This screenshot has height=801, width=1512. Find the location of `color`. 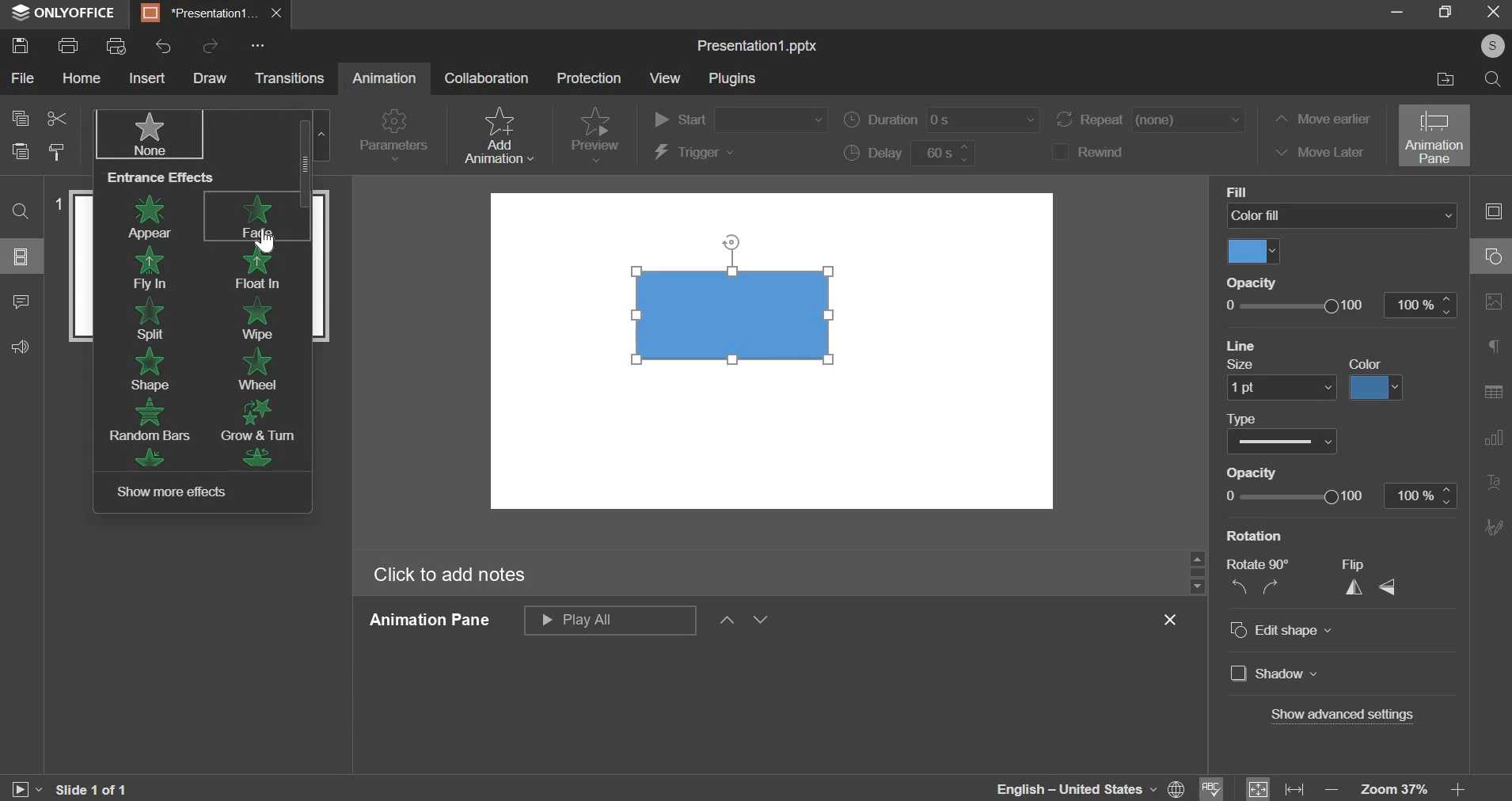

color is located at coordinates (1380, 386).